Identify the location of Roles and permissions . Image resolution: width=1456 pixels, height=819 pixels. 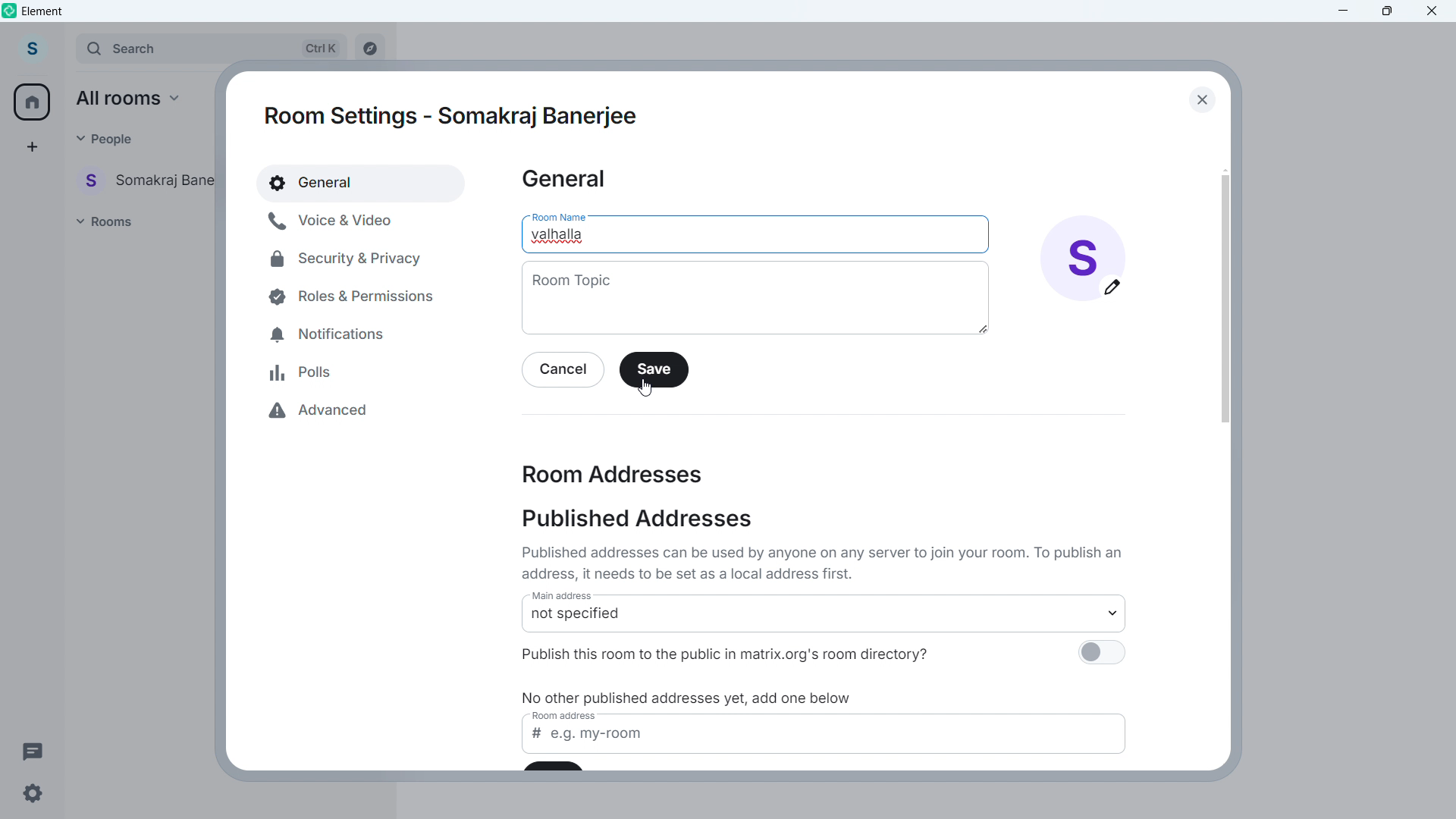
(345, 296).